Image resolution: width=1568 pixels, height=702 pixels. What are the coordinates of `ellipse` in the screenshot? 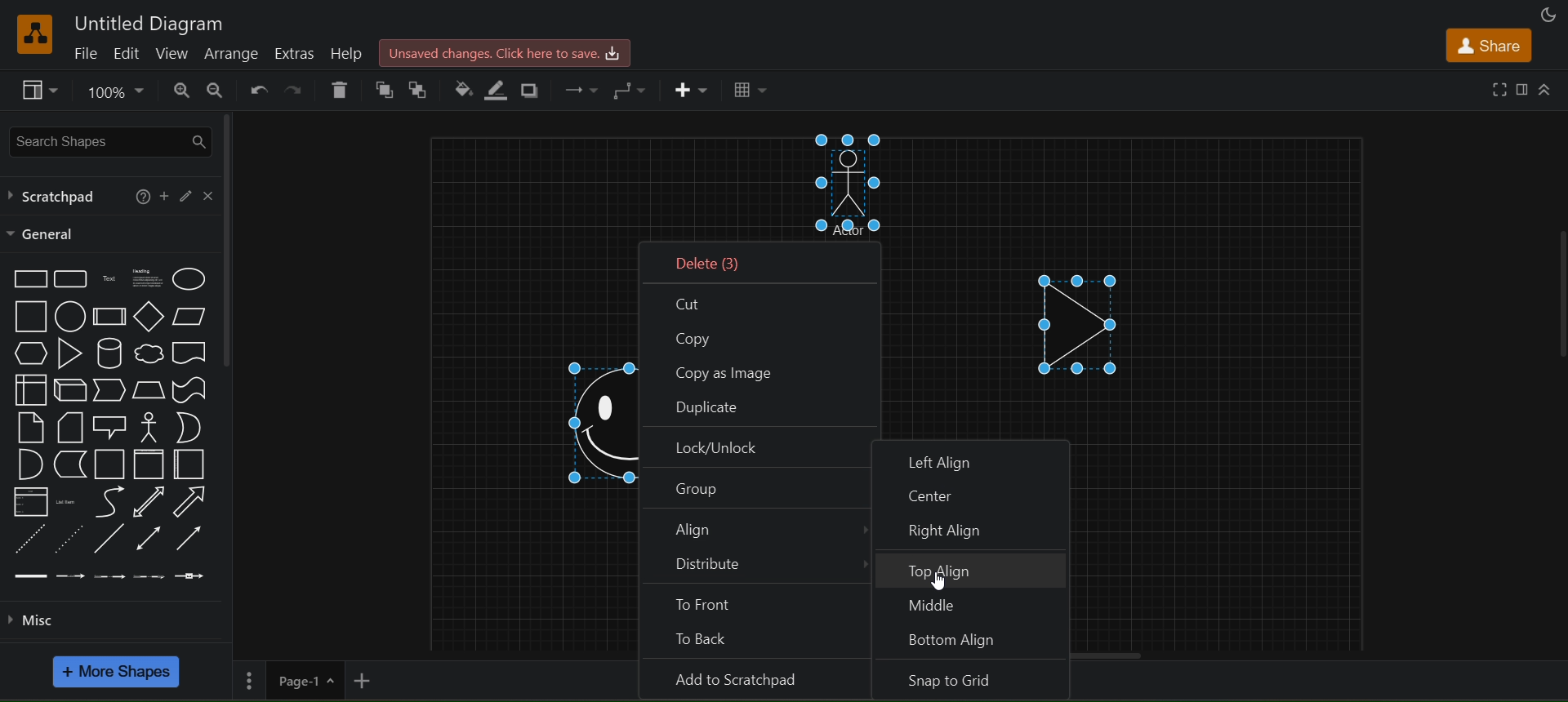 It's located at (188, 279).